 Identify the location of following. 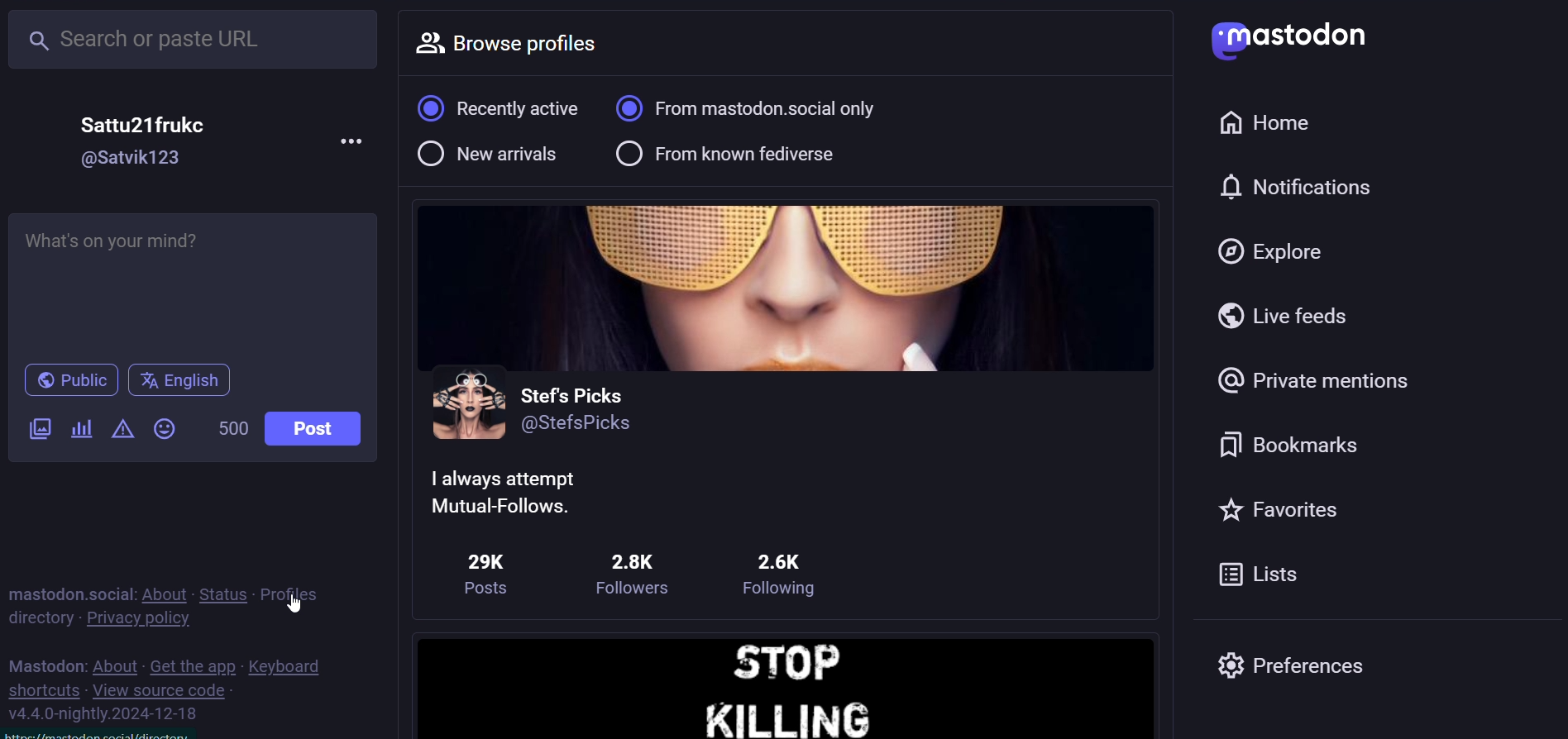
(791, 576).